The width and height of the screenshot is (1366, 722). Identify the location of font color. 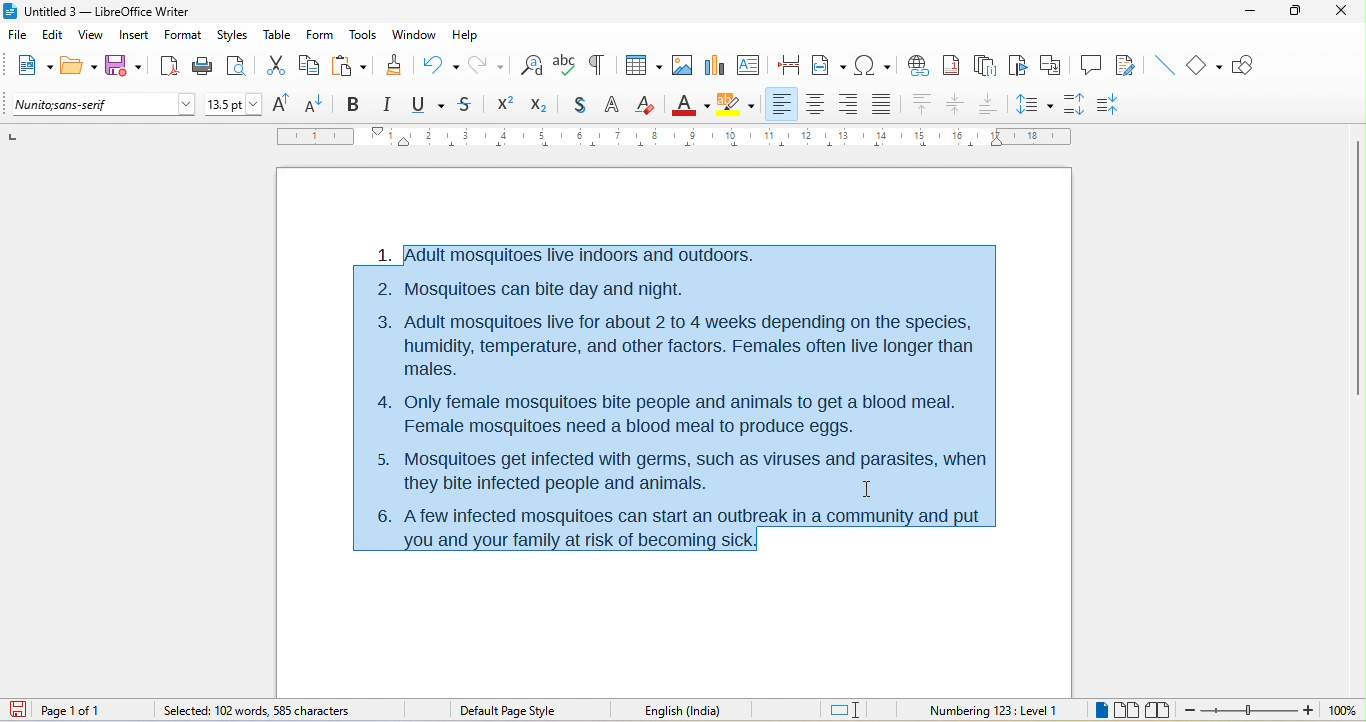
(690, 103).